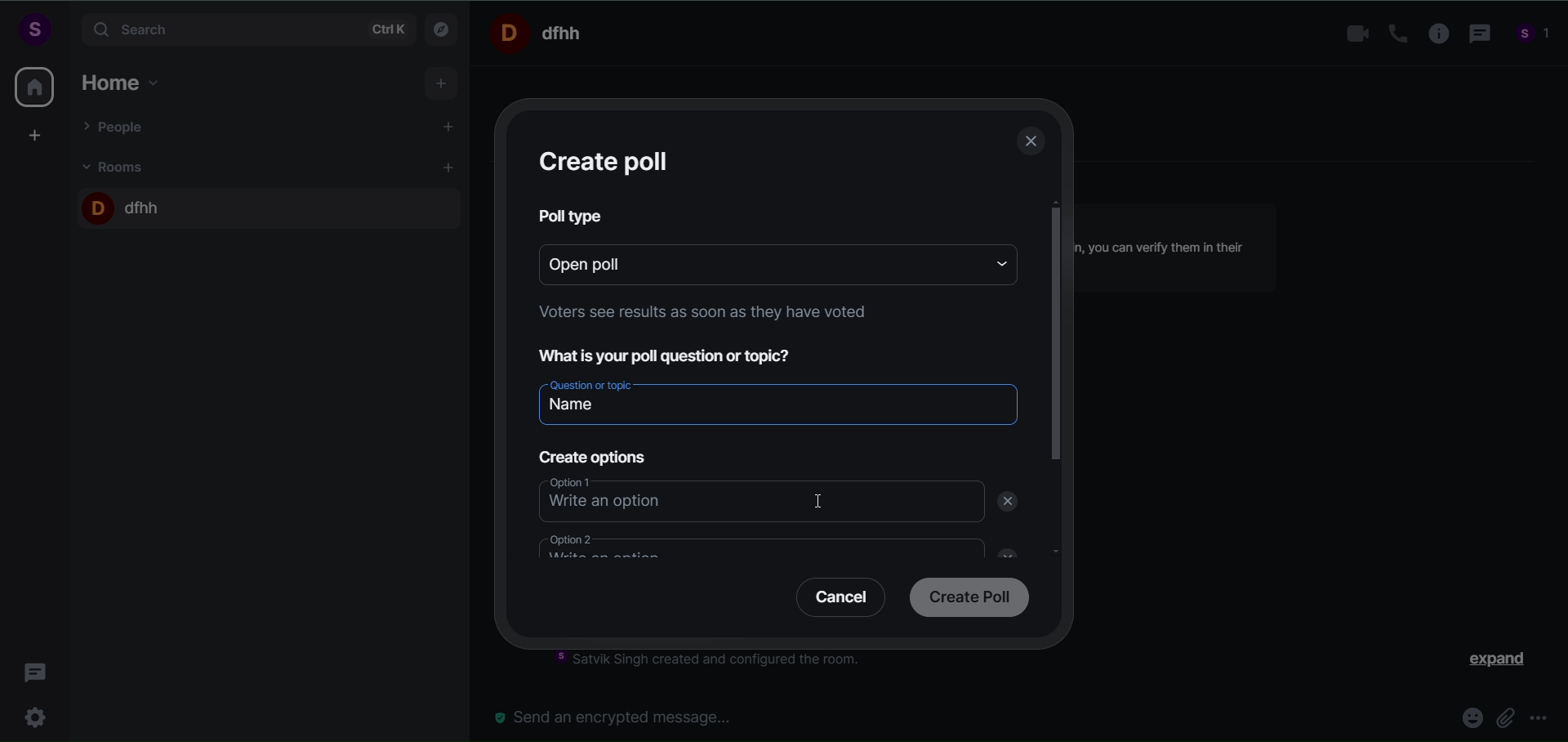  I want to click on Expand, so click(1487, 663).